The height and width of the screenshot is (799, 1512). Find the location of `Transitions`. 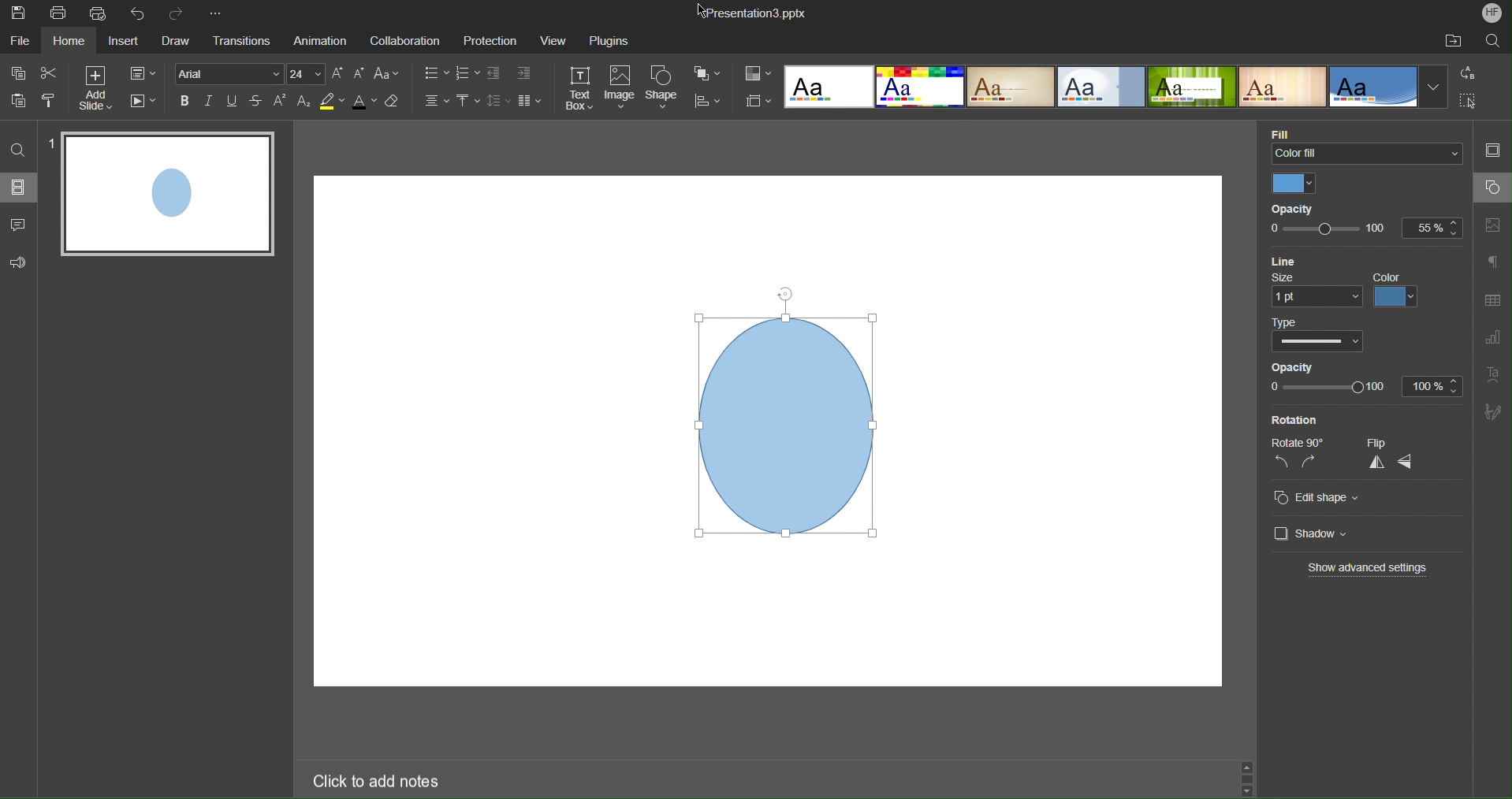

Transitions is located at coordinates (239, 42).